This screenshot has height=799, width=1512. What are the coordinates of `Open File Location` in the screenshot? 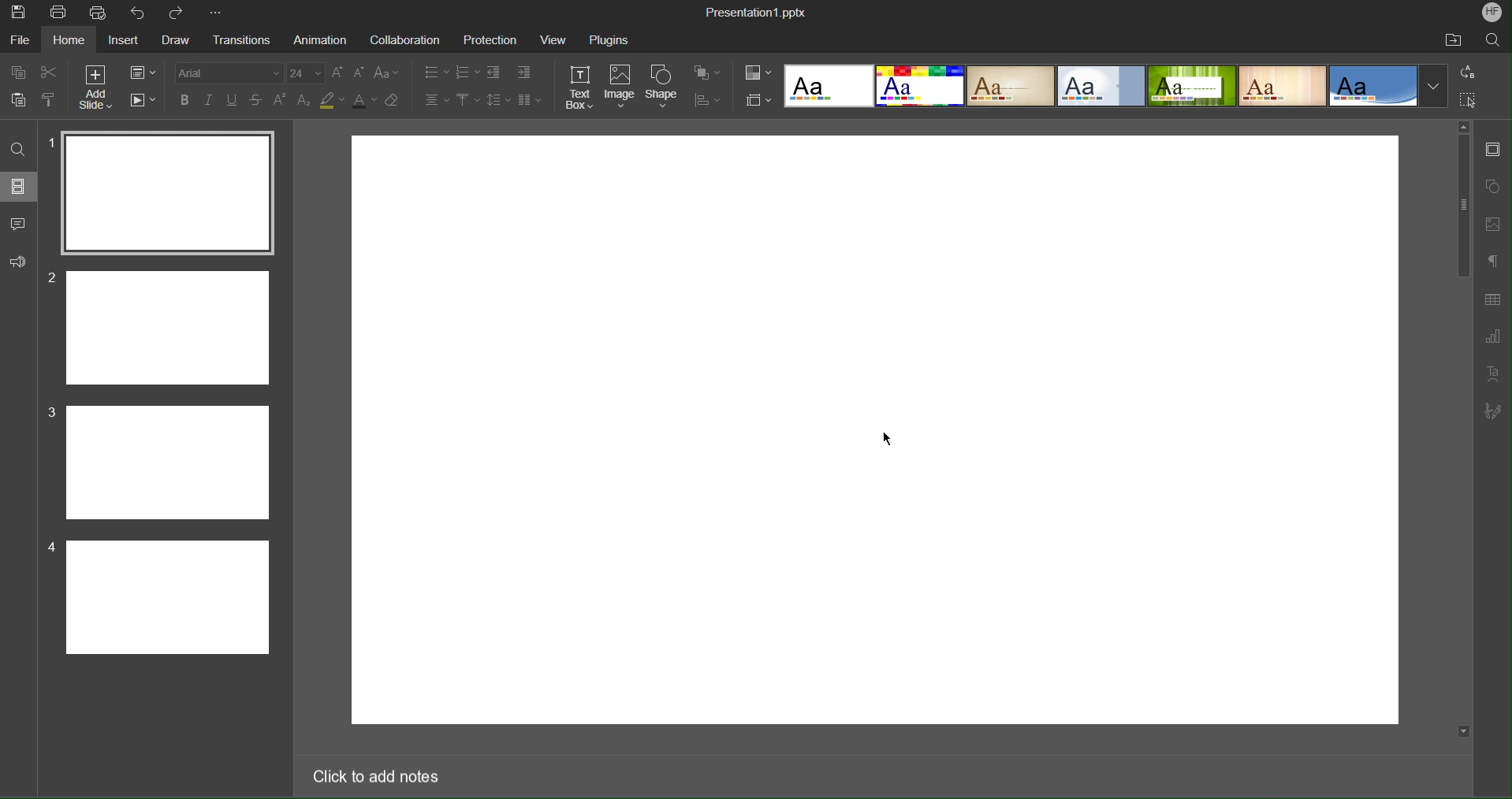 It's located at (1455, 39).